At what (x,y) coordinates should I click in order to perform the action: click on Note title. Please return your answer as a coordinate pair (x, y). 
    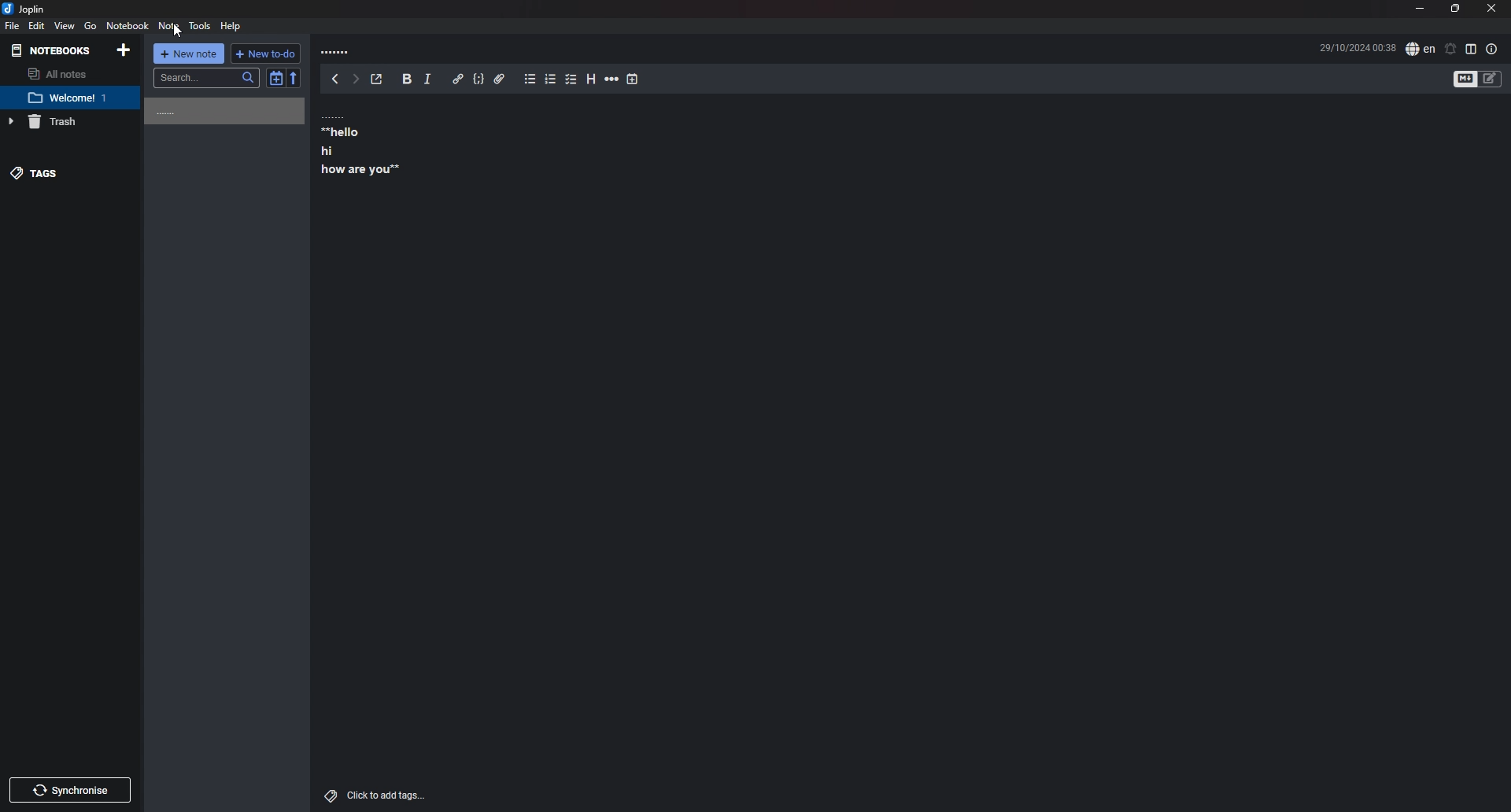
    Looking at the image, I should click on (338, 51).